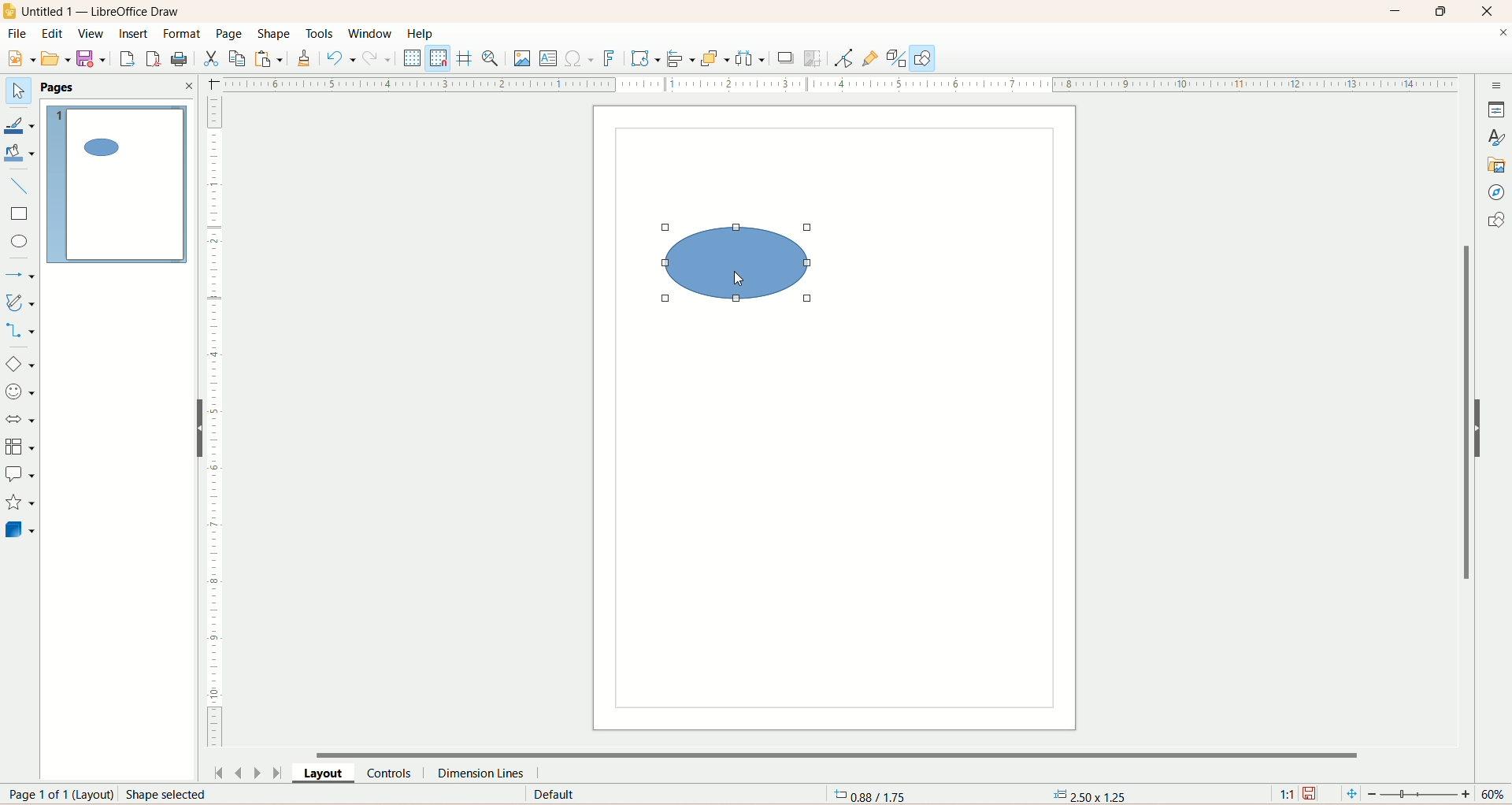 The height and width of the screenshot is (805, 1512). What do you see at coordinates (1496, 109) in the screenshot?
I see `properties` at bounding box center [1496, 109].